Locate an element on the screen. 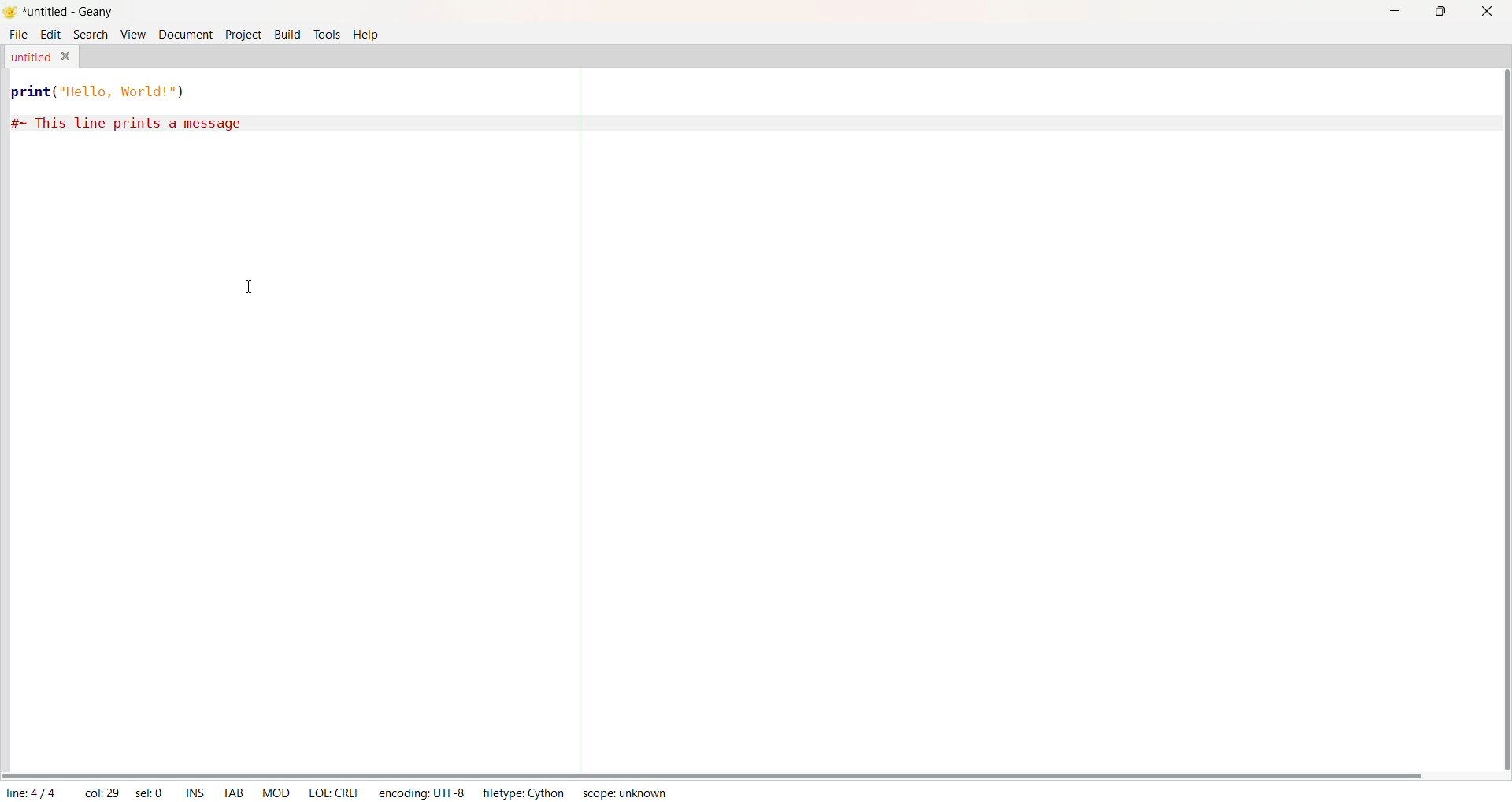 The image size is (1512, 802). Vertical Scroll Bar is located at coordinates (1495, 419).